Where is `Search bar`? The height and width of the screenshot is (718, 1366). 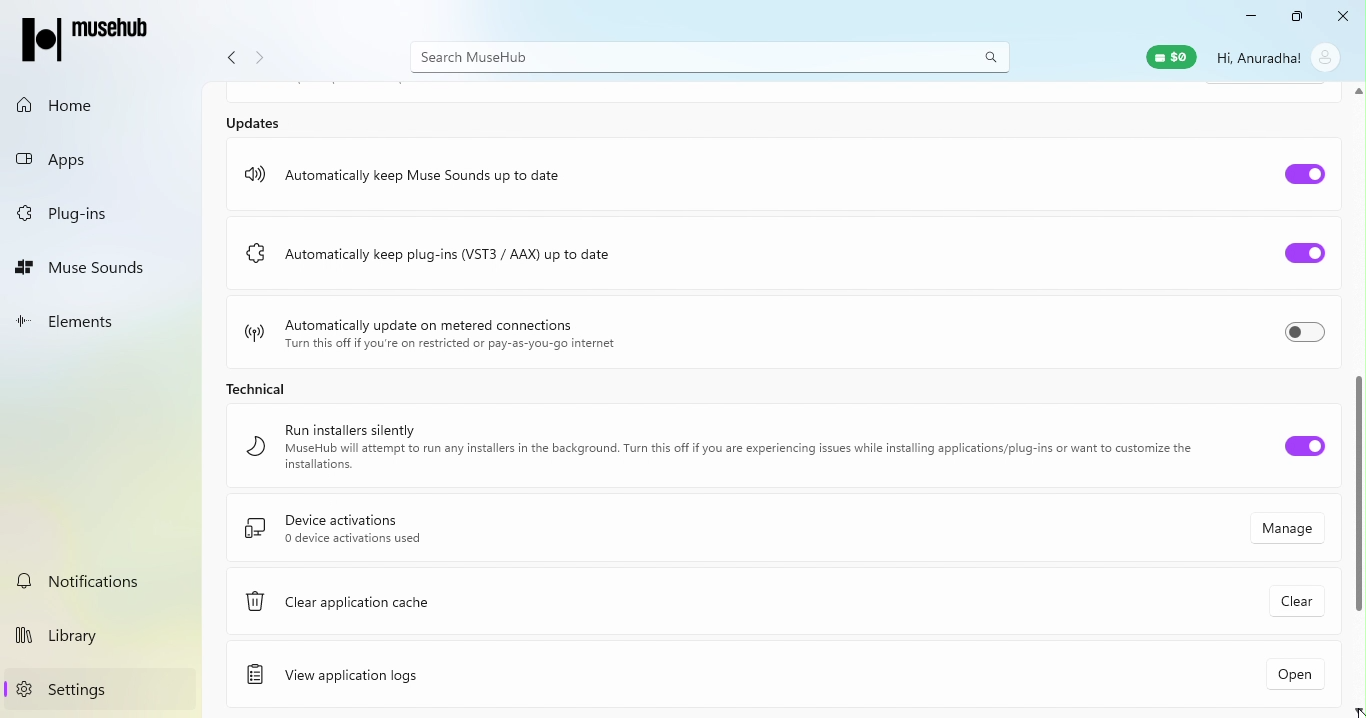 Search bar is located at coordinates (710, 56).